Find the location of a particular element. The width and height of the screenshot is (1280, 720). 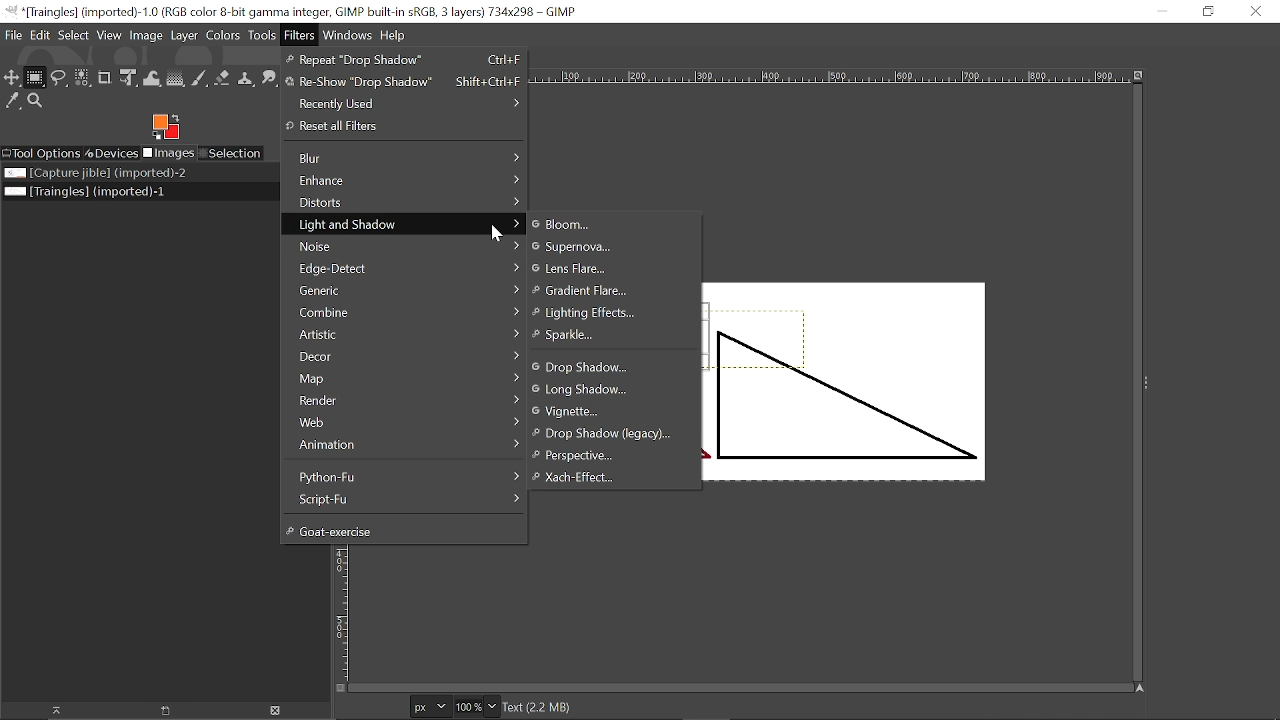

Edge-Detect is located at coordinates (405, 269).